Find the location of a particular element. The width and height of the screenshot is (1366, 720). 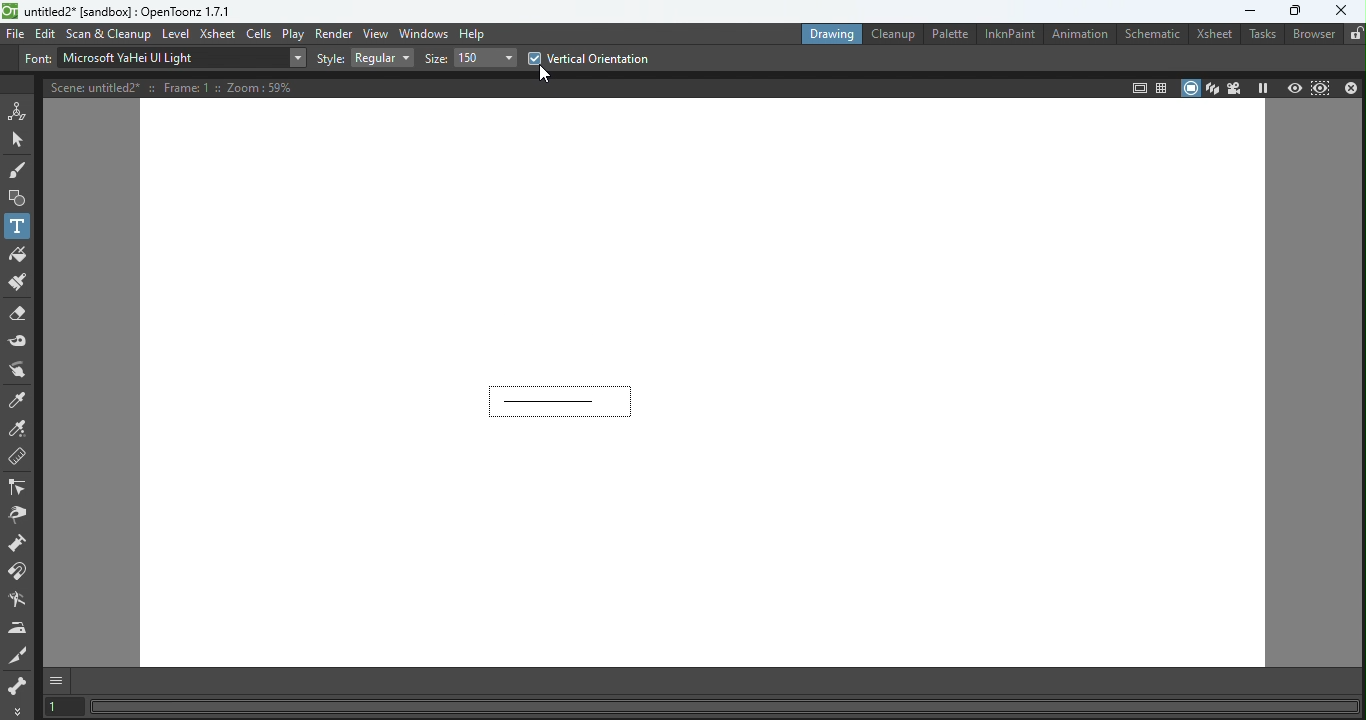

Eraser tool is located at coordinates (20, 311).